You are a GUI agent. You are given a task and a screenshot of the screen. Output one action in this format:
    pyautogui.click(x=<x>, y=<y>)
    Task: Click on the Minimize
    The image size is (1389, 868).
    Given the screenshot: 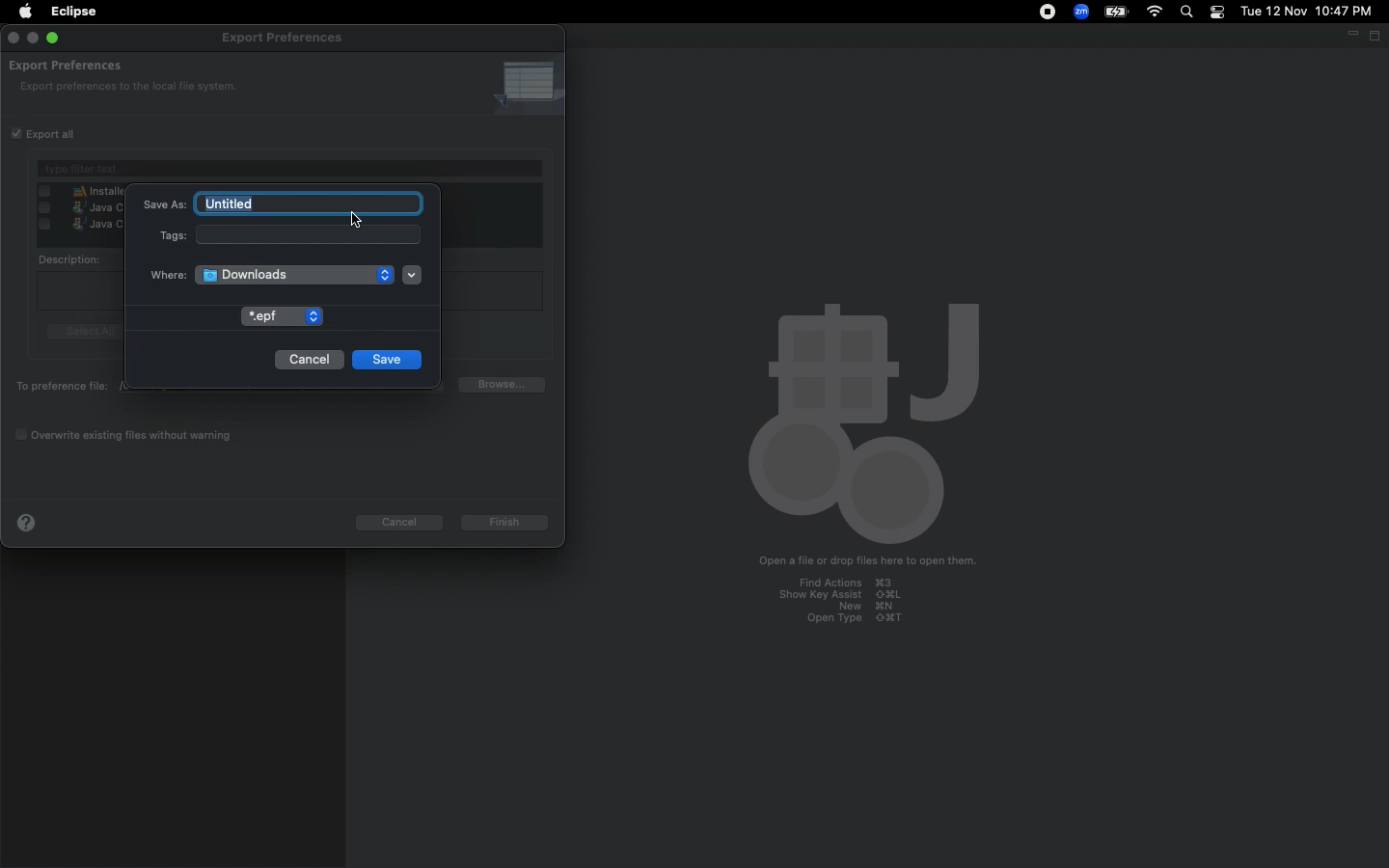 What is the action you would take?
    pyautogui.click(x=1349, y=34)
    